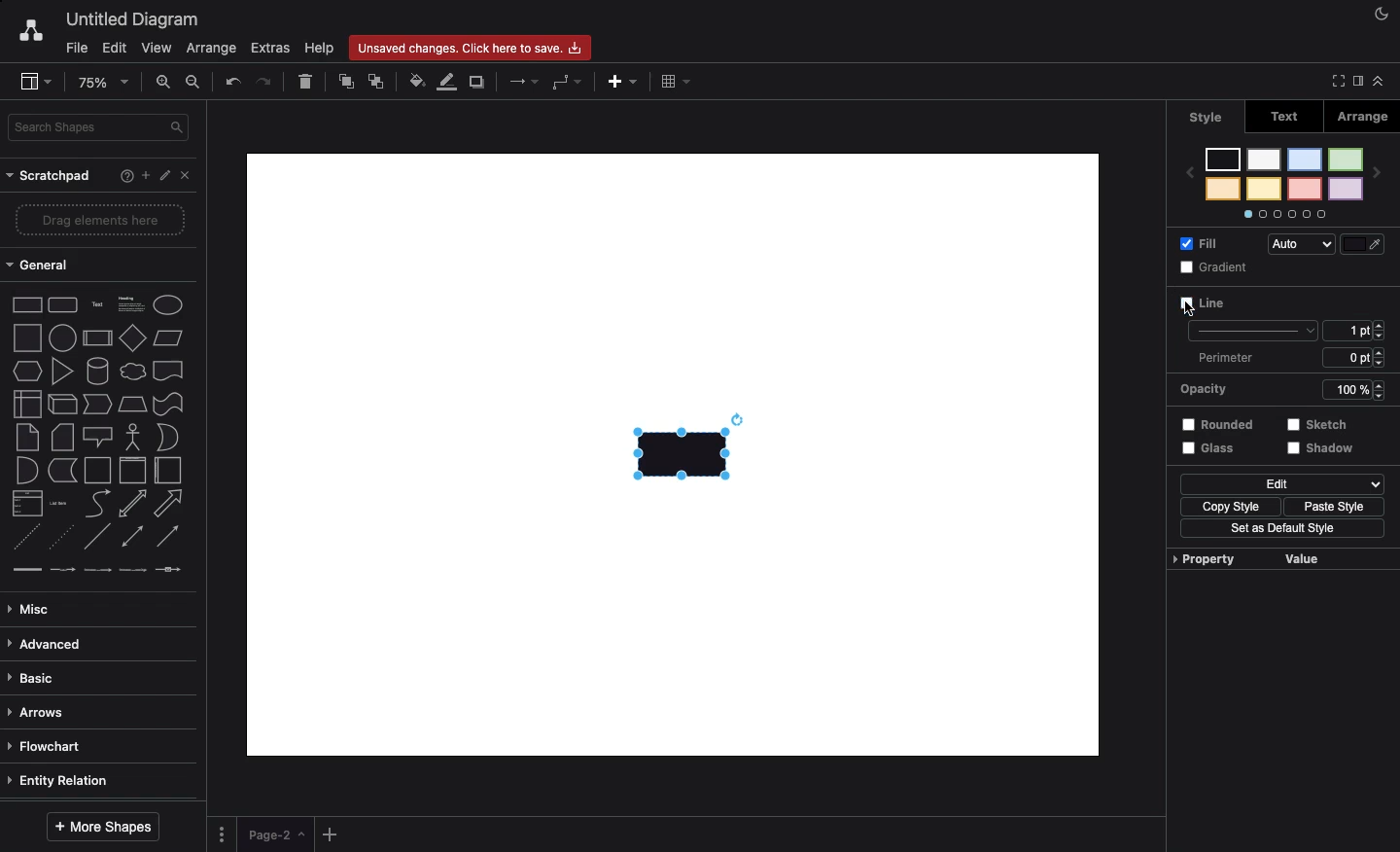  Describe the element at coordinates (24, 569) in the screenshot. I see `link` at that location.